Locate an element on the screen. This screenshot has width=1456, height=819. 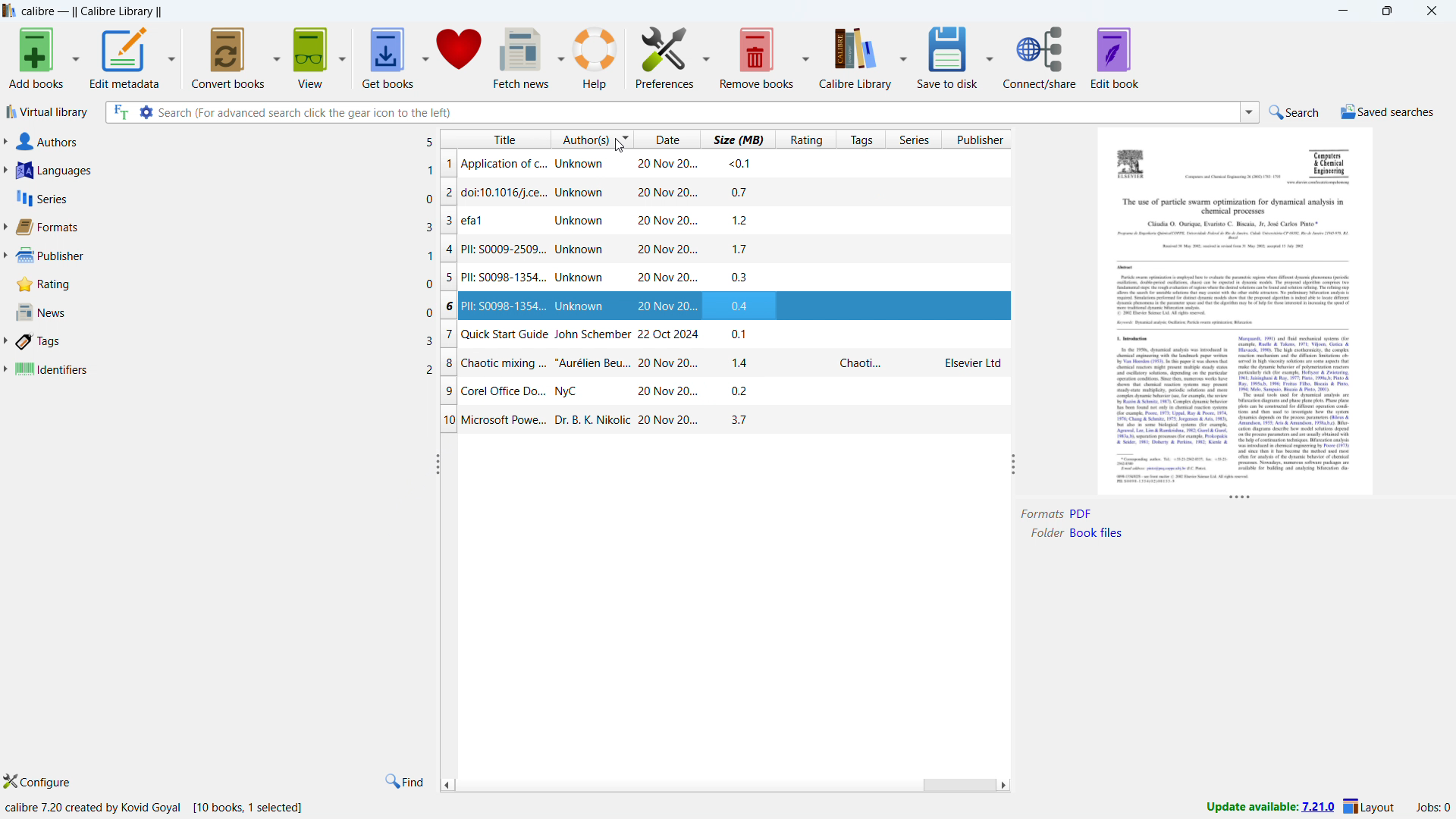
 is located at coordinates (1134, 166).